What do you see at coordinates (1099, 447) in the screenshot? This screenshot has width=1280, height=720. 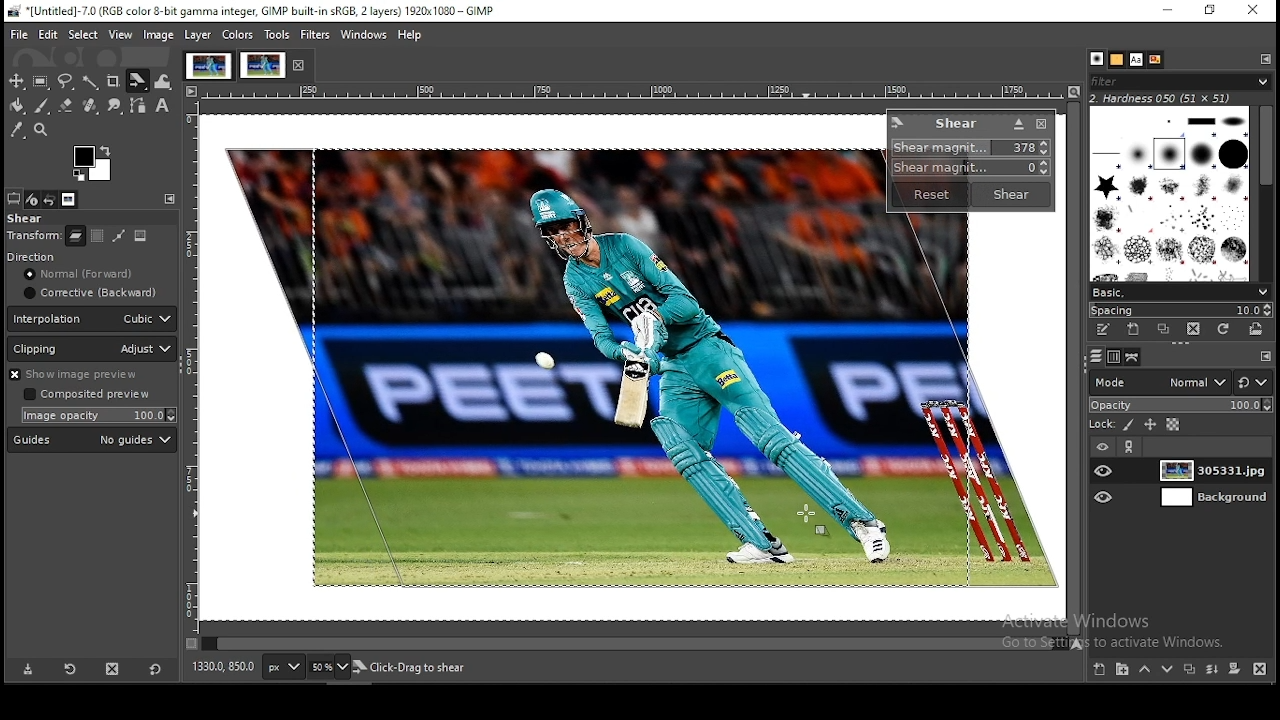 I see `layer visibility` at bounding box center [1099, 447].